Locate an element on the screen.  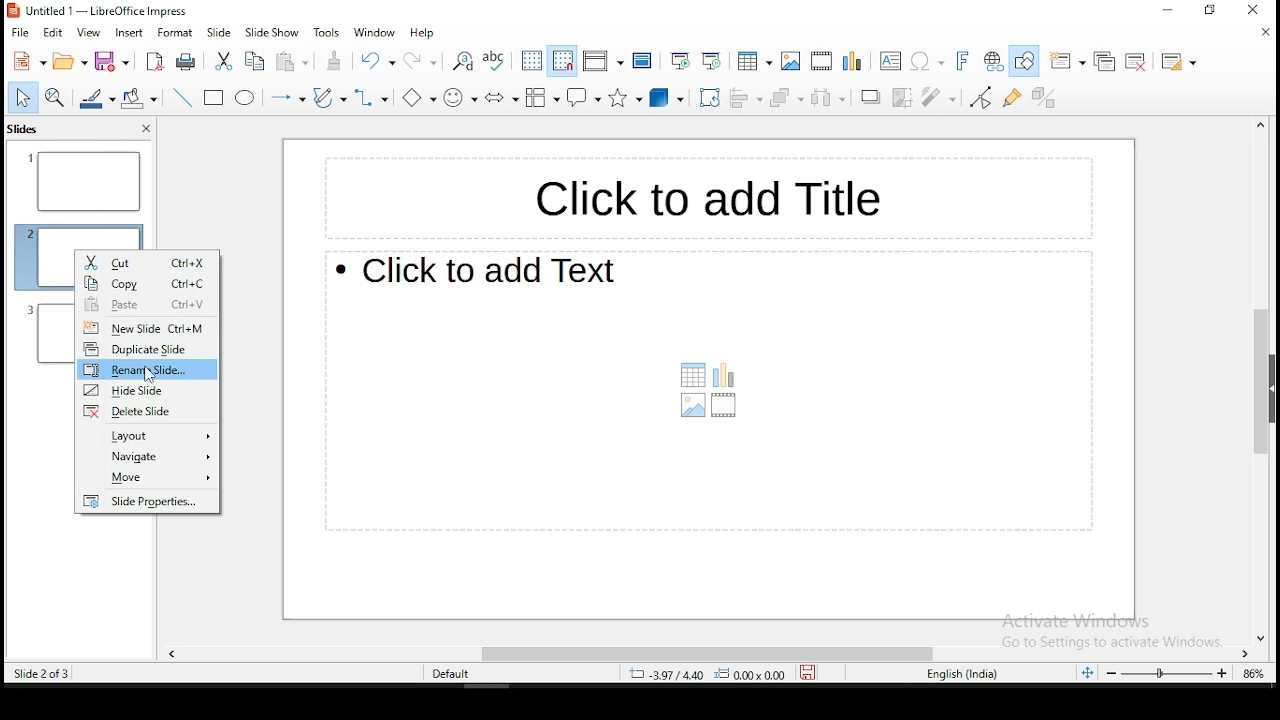
slide 2 of 3 is located at coordinates (42, 671).